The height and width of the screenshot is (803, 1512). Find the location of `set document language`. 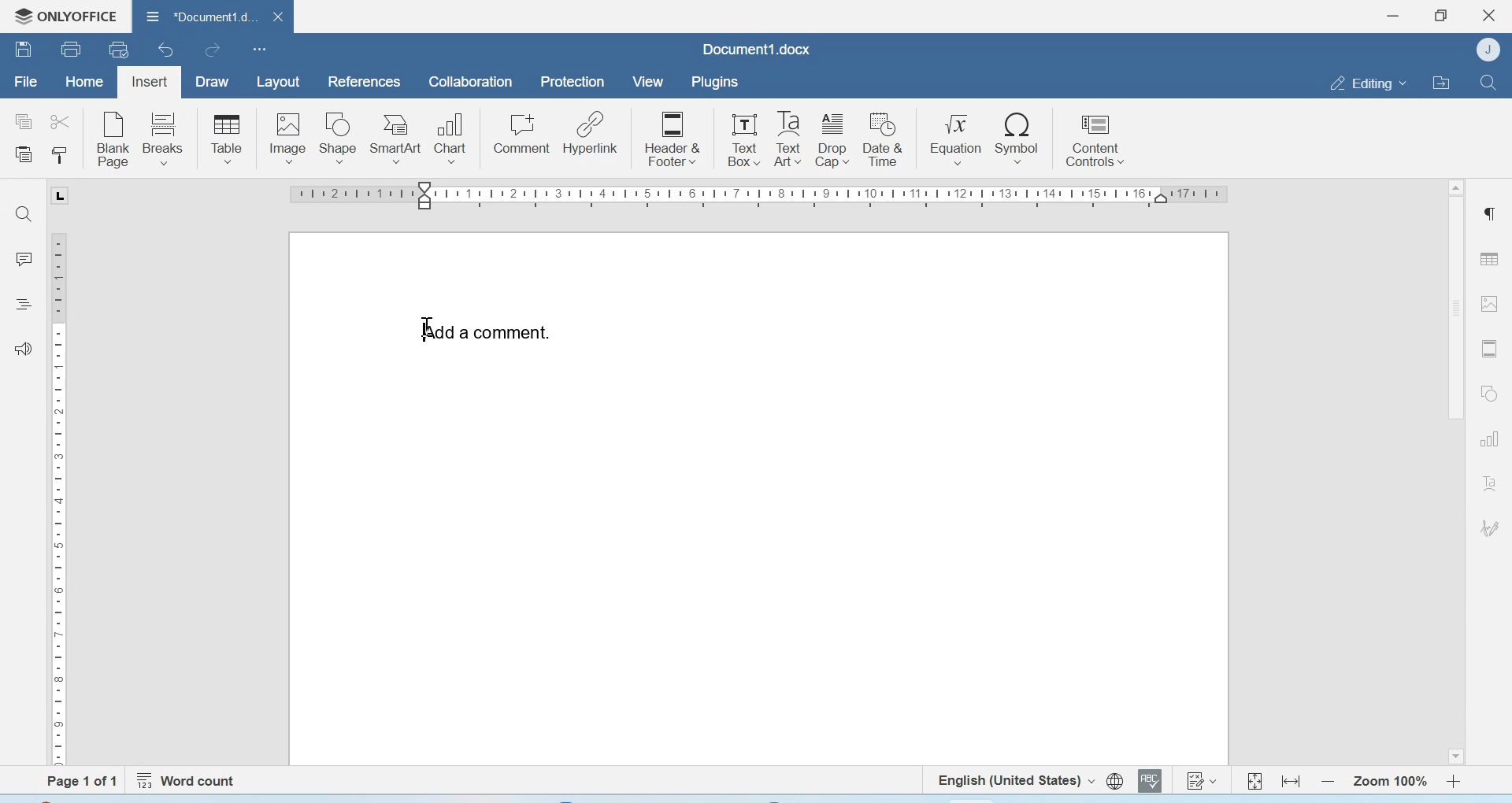

set document language is located at coordinates (1115, 781).